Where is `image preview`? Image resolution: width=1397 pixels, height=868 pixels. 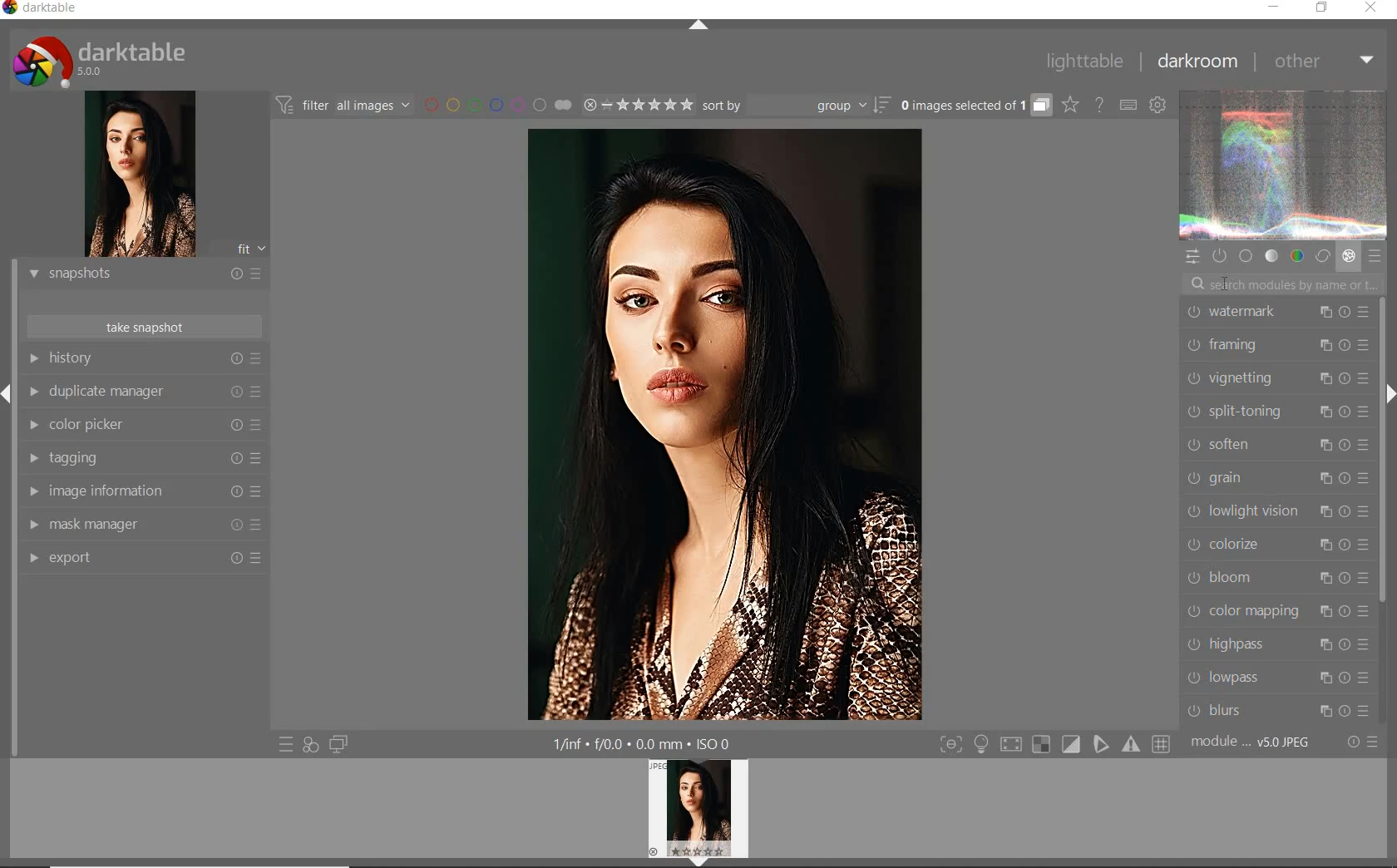
image preview is located at coordinates (134, 174).